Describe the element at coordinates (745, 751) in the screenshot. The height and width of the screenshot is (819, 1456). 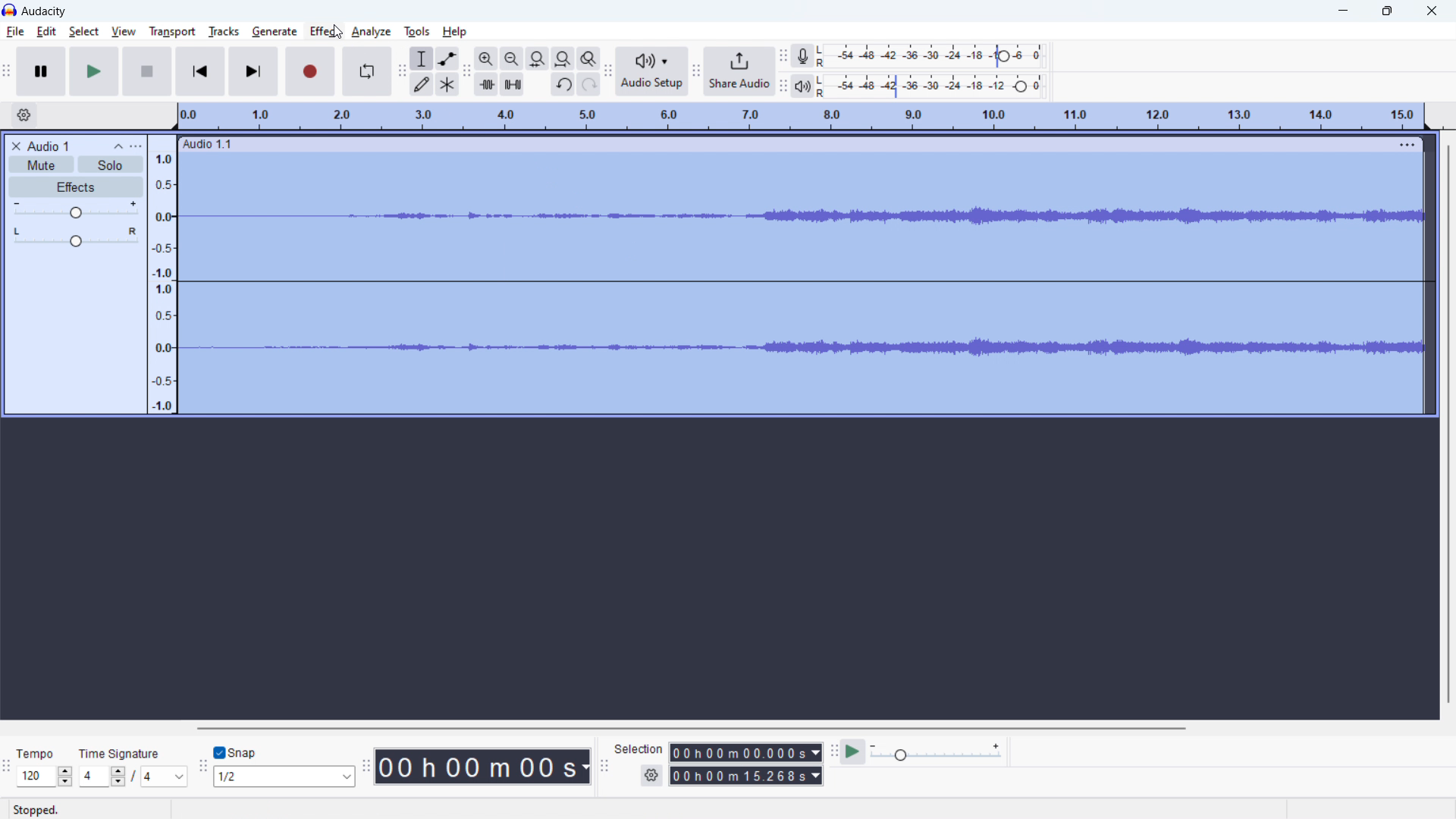
I see `00h00m00.000s (start time)` at that location.